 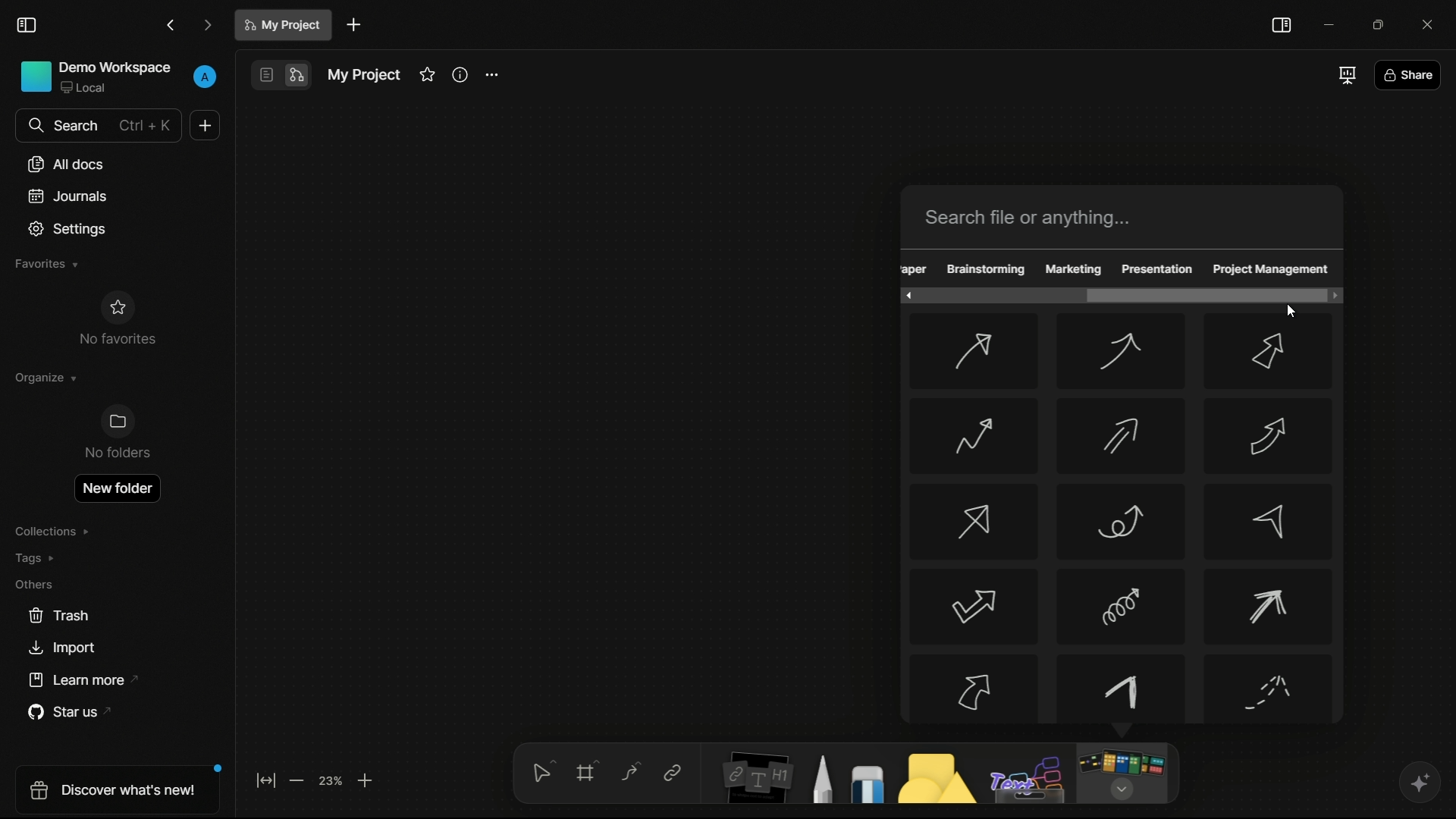 What do you see at coordinates (1271, 353) in the screenshot?
I see `arrow-3` at bounding box center [1271, 353].